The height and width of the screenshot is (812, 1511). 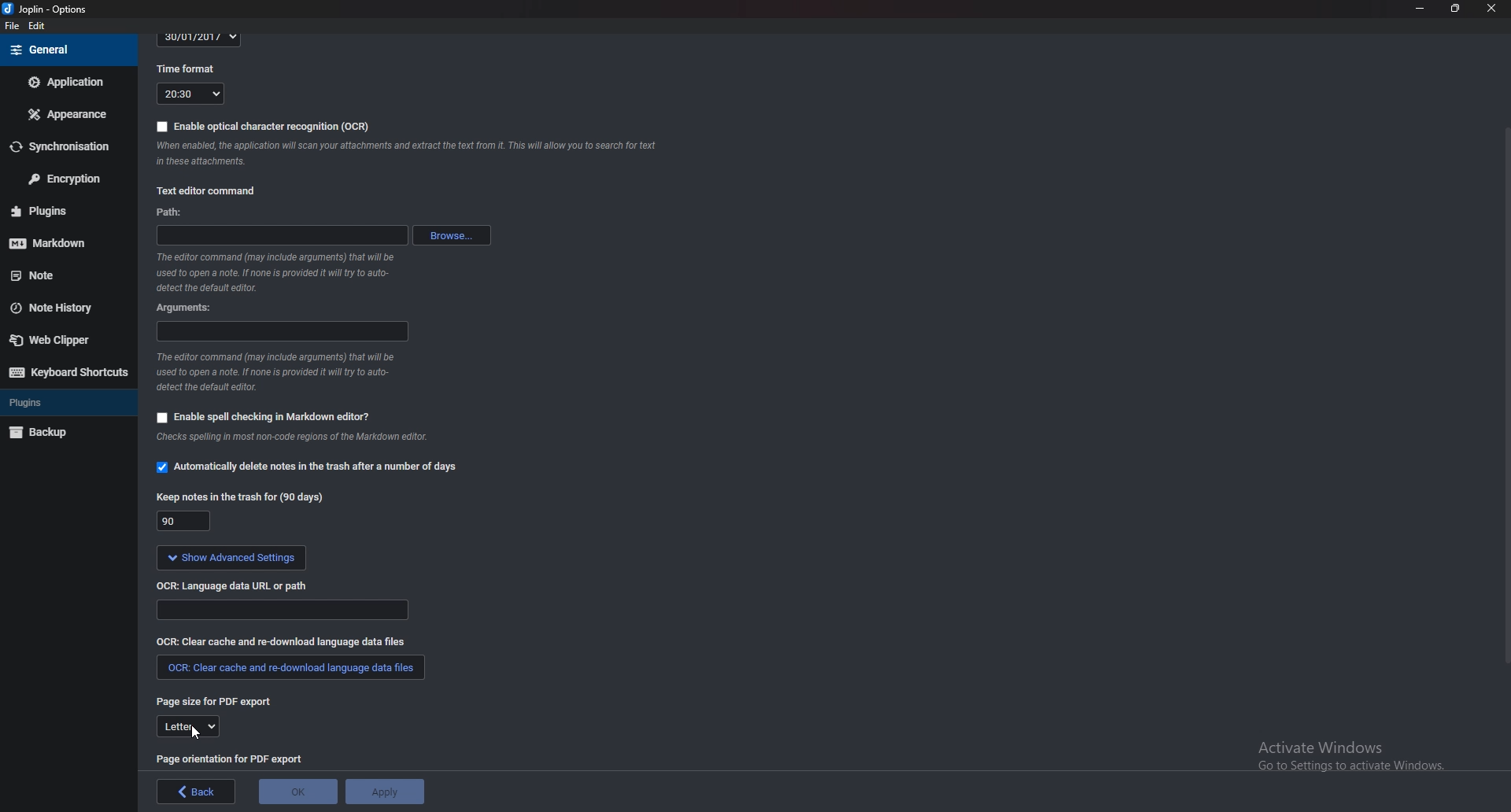 What do you see at coordinates (413, 157) in the screenshot?
I see `Info` at bounding box center [413, 157].